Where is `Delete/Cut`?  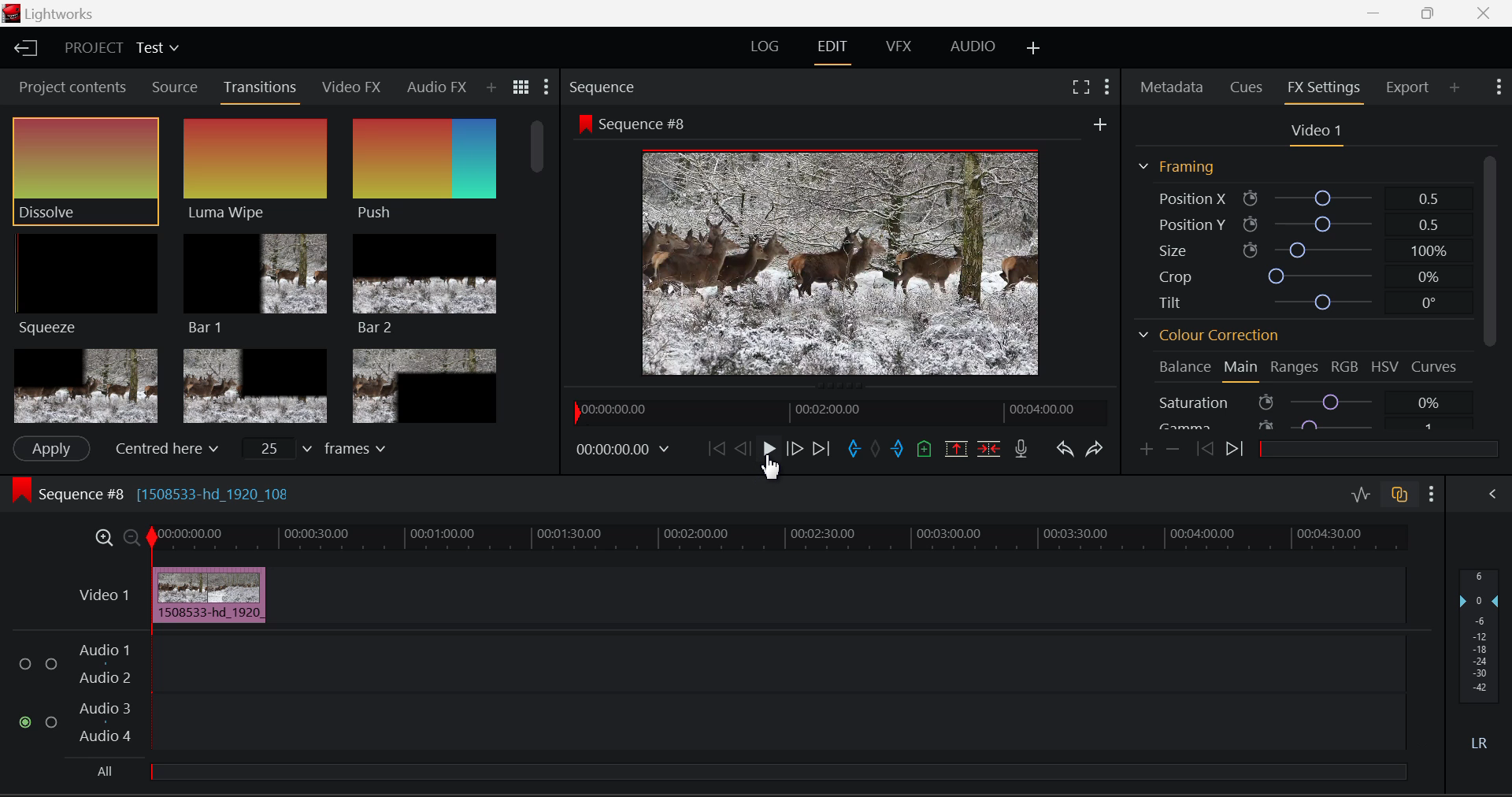 Delete/Cut is located at coordinates (992, 447).